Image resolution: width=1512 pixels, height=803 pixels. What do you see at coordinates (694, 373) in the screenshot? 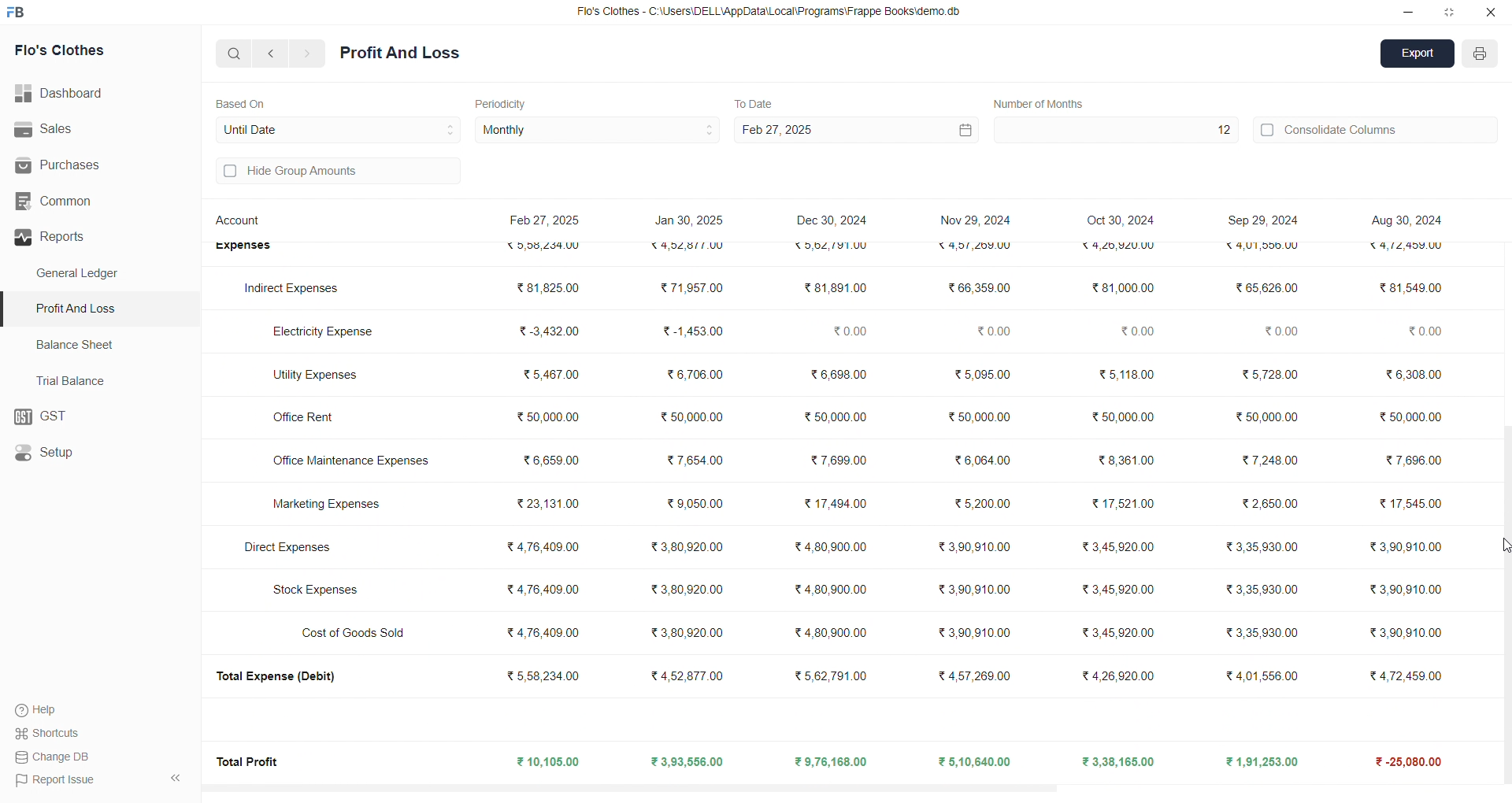
I see `₹6,706.00` at bounding box center [694, 373].